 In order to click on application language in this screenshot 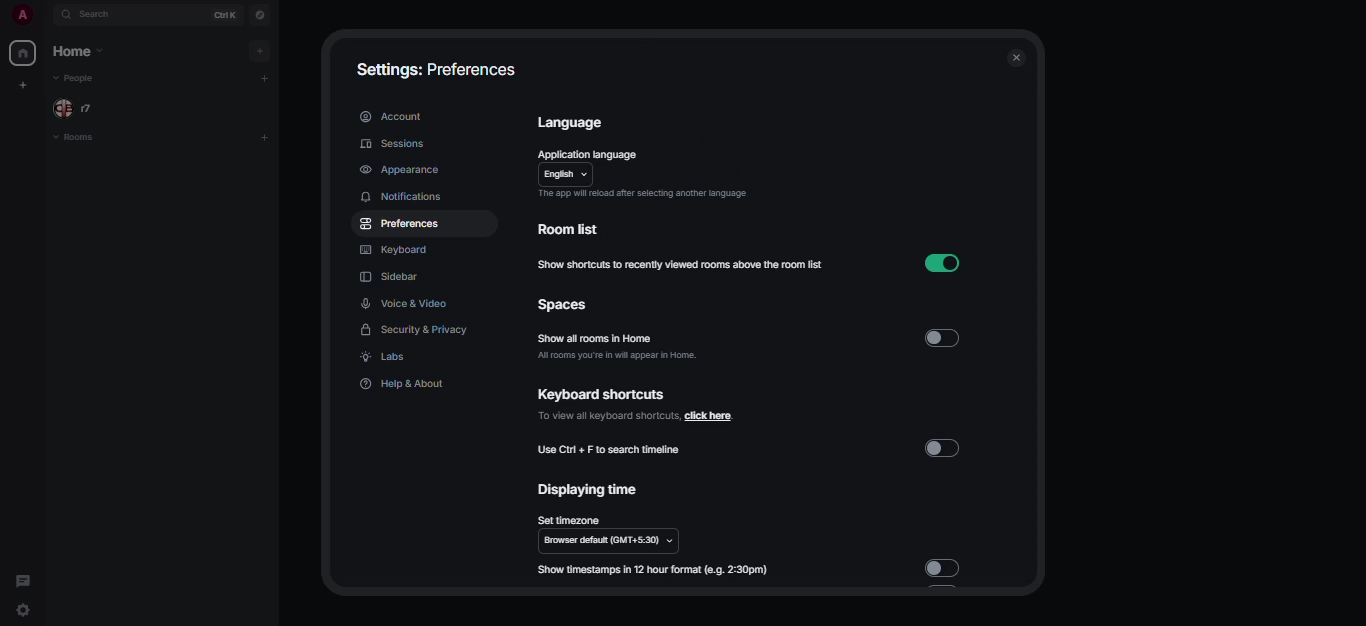, I will do `click(594, 155)`.